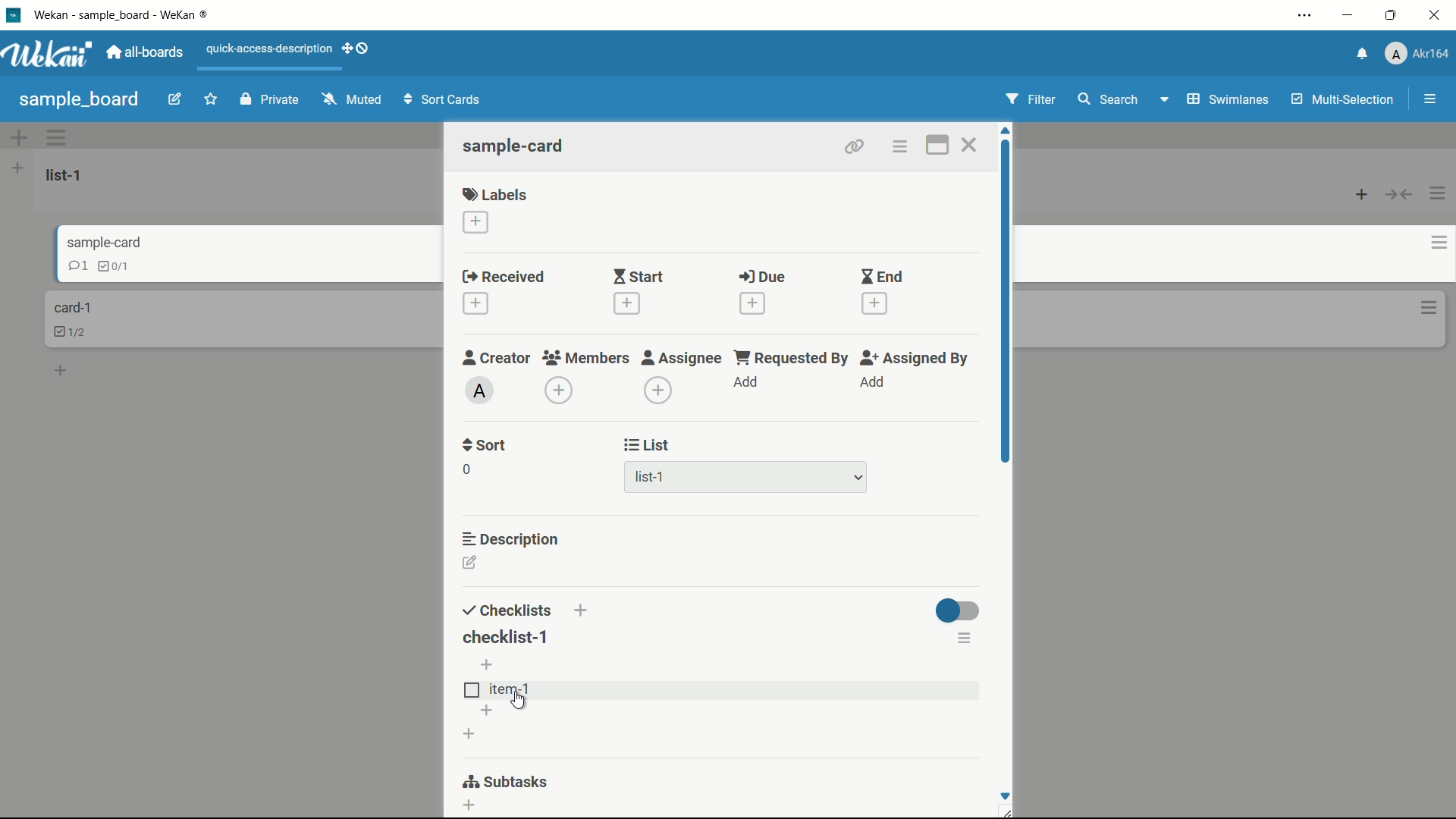  What do you see at coordinates (640, 276) in the screenshot?
I see `start` at bounding box center [640, 276].